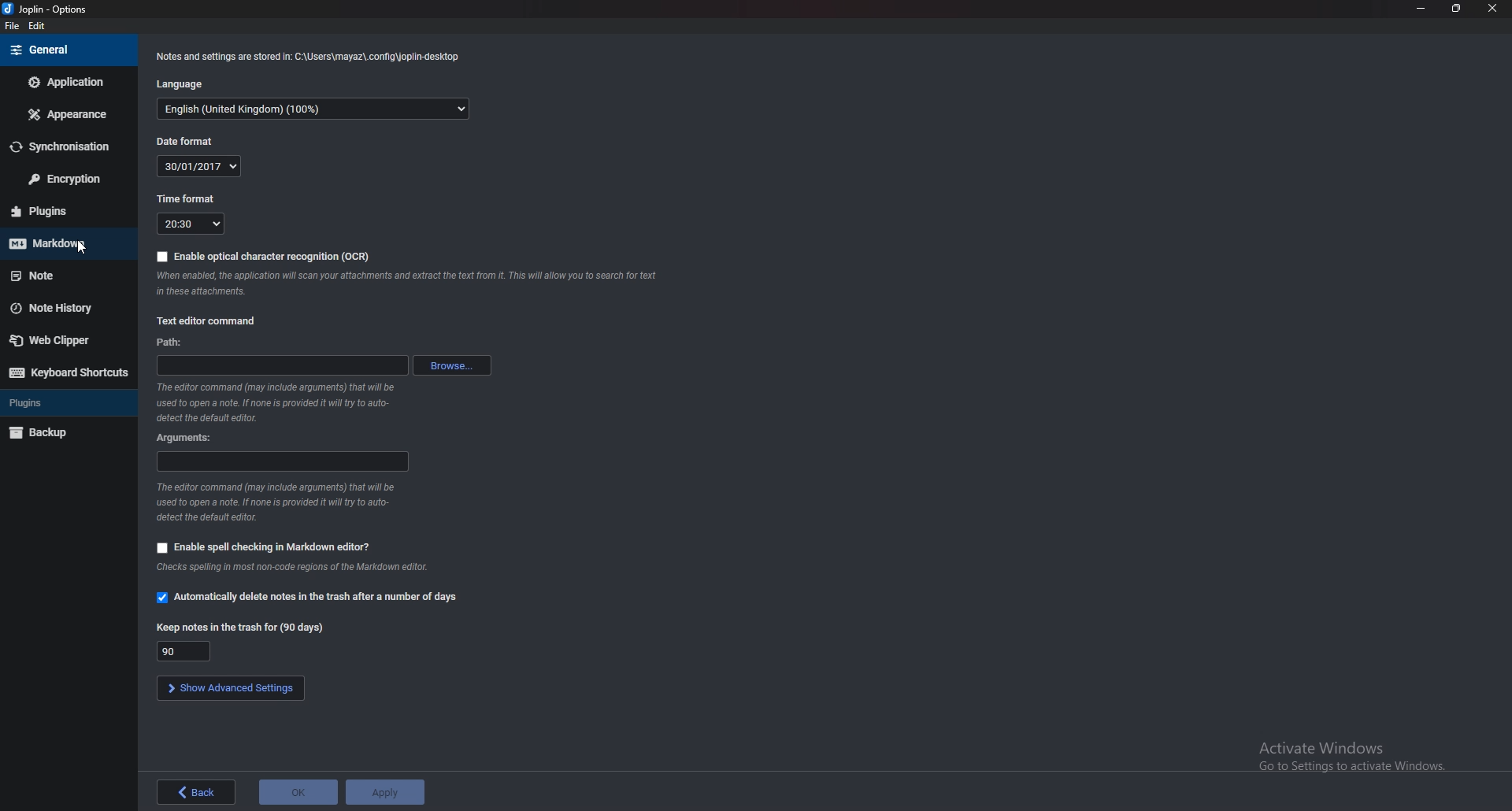 The image size is (1512, 811). I want to click on note, so click(61, 276).